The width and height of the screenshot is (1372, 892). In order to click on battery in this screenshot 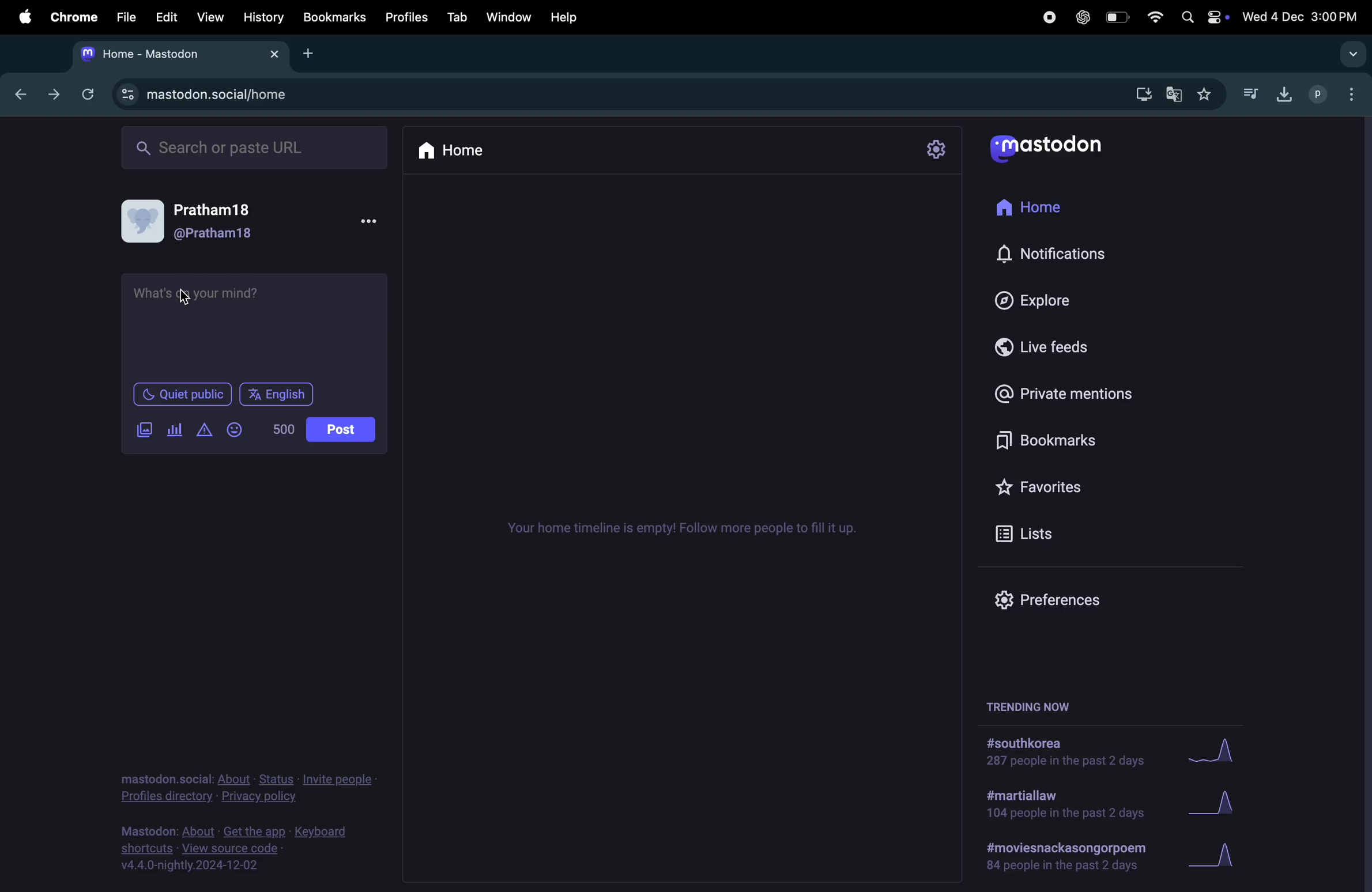, I will do `click(1116, 17)`.